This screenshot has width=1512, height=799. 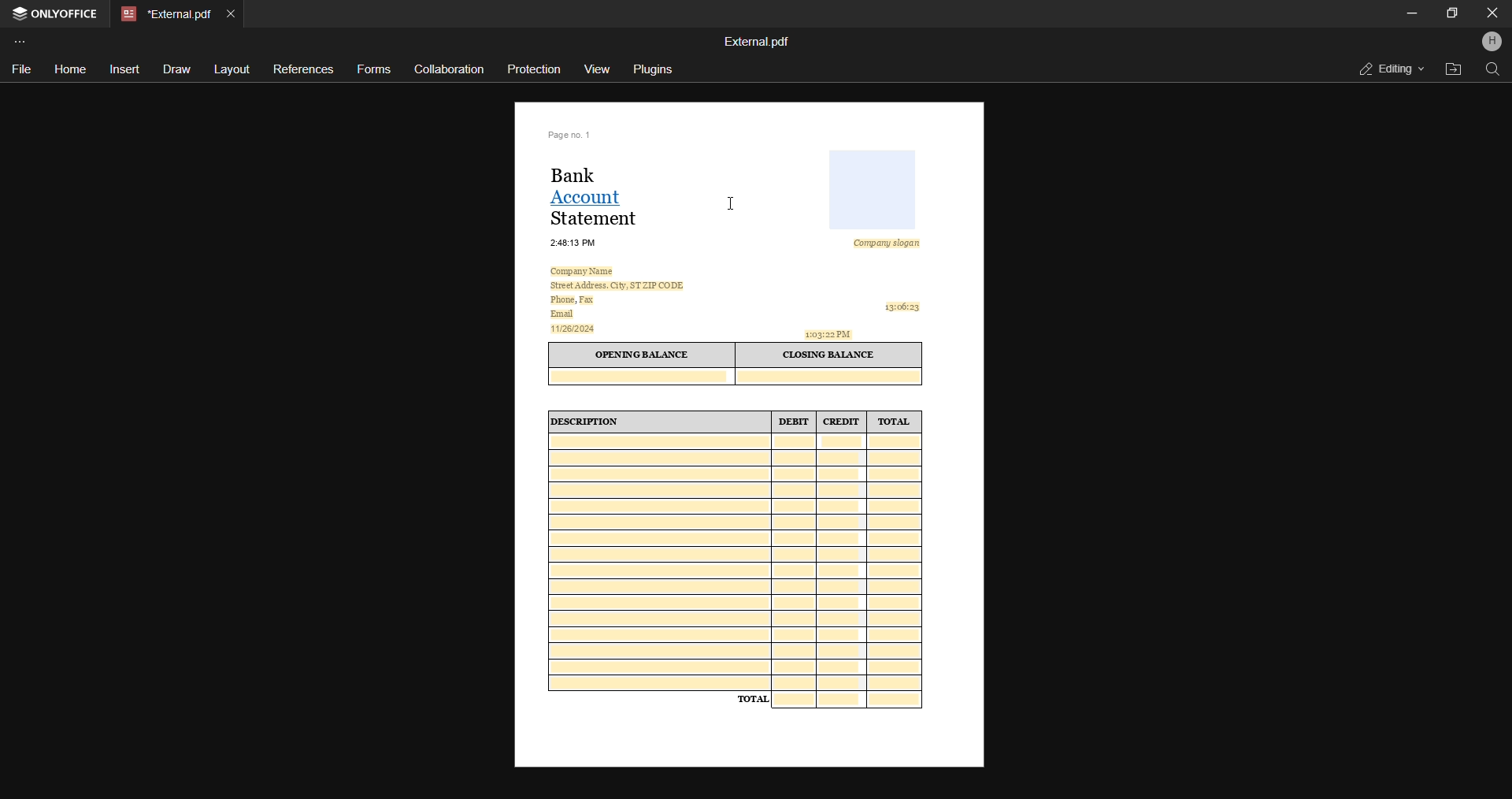 I want to click on references, so click(x=302, y=69).